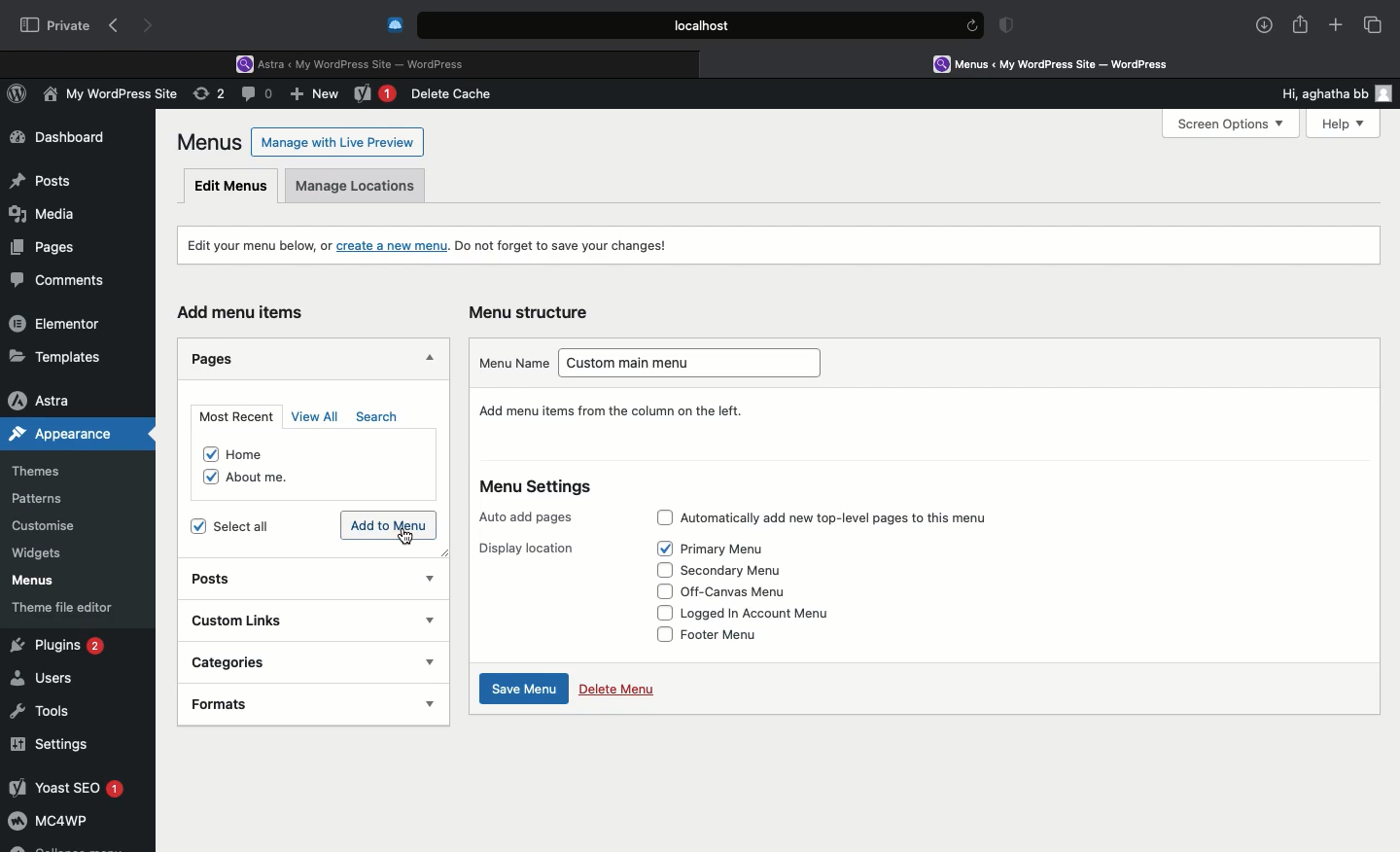 The height and width of the screenshot is (852, 1400). I want to click on Local.host, so click(702, 24).